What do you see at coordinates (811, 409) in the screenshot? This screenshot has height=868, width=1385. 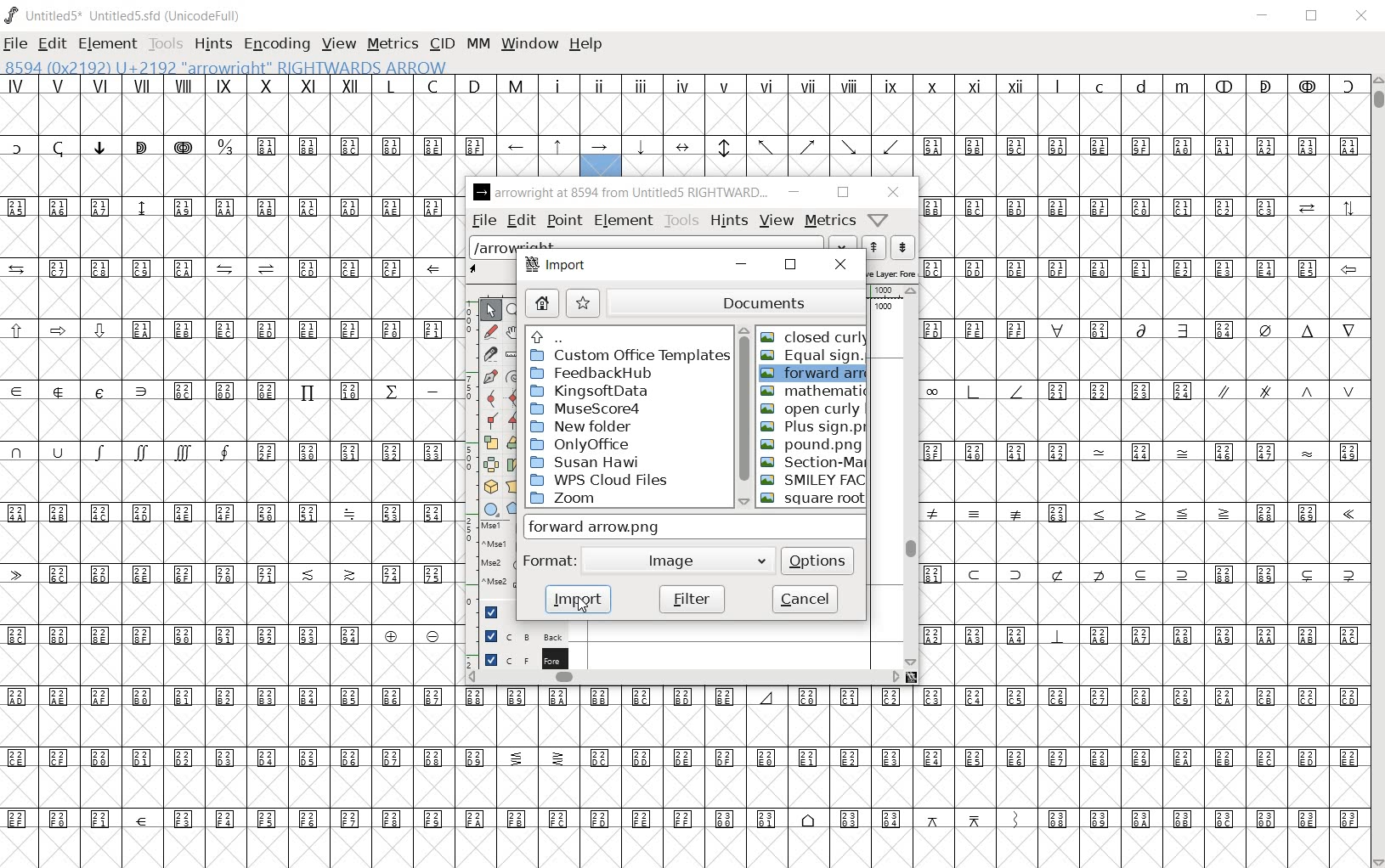 I see `open curly` at bounding box center [811, 409].